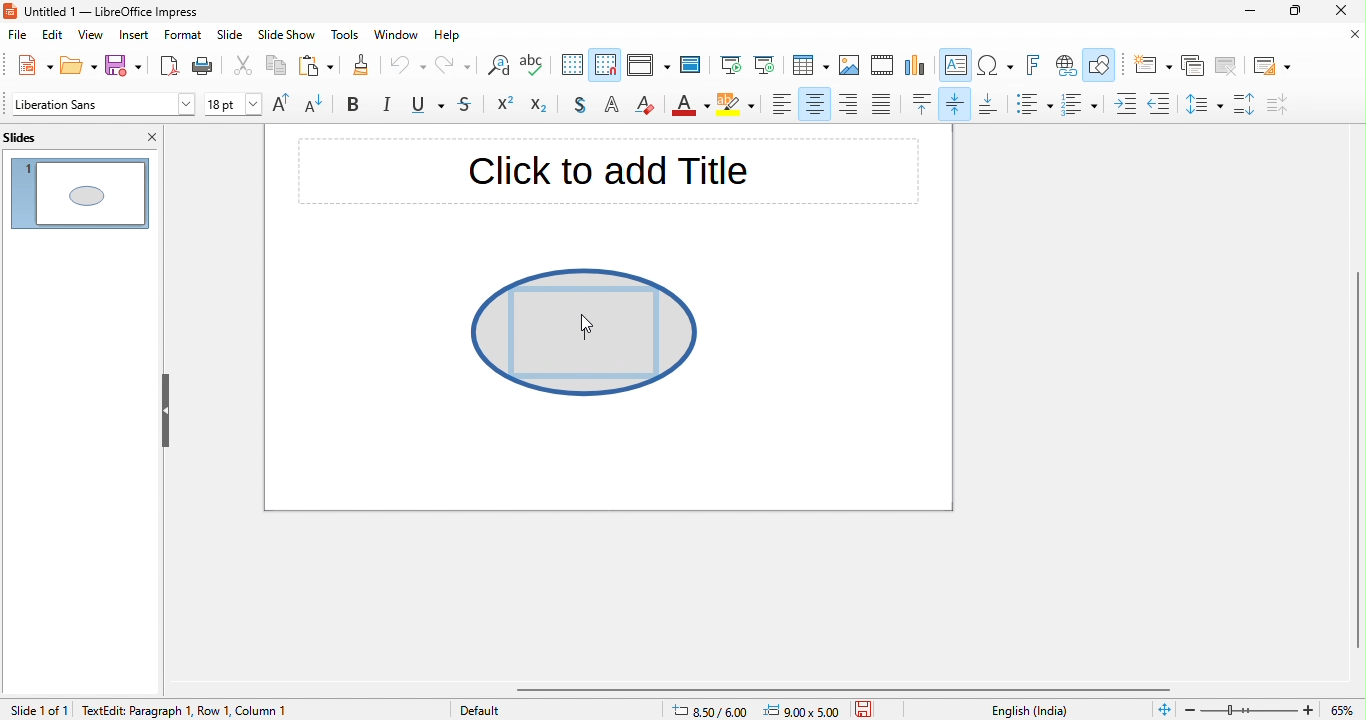  Describe the element at coordinates (1239, 14) in the screenshot. I see `minimize` at that location.